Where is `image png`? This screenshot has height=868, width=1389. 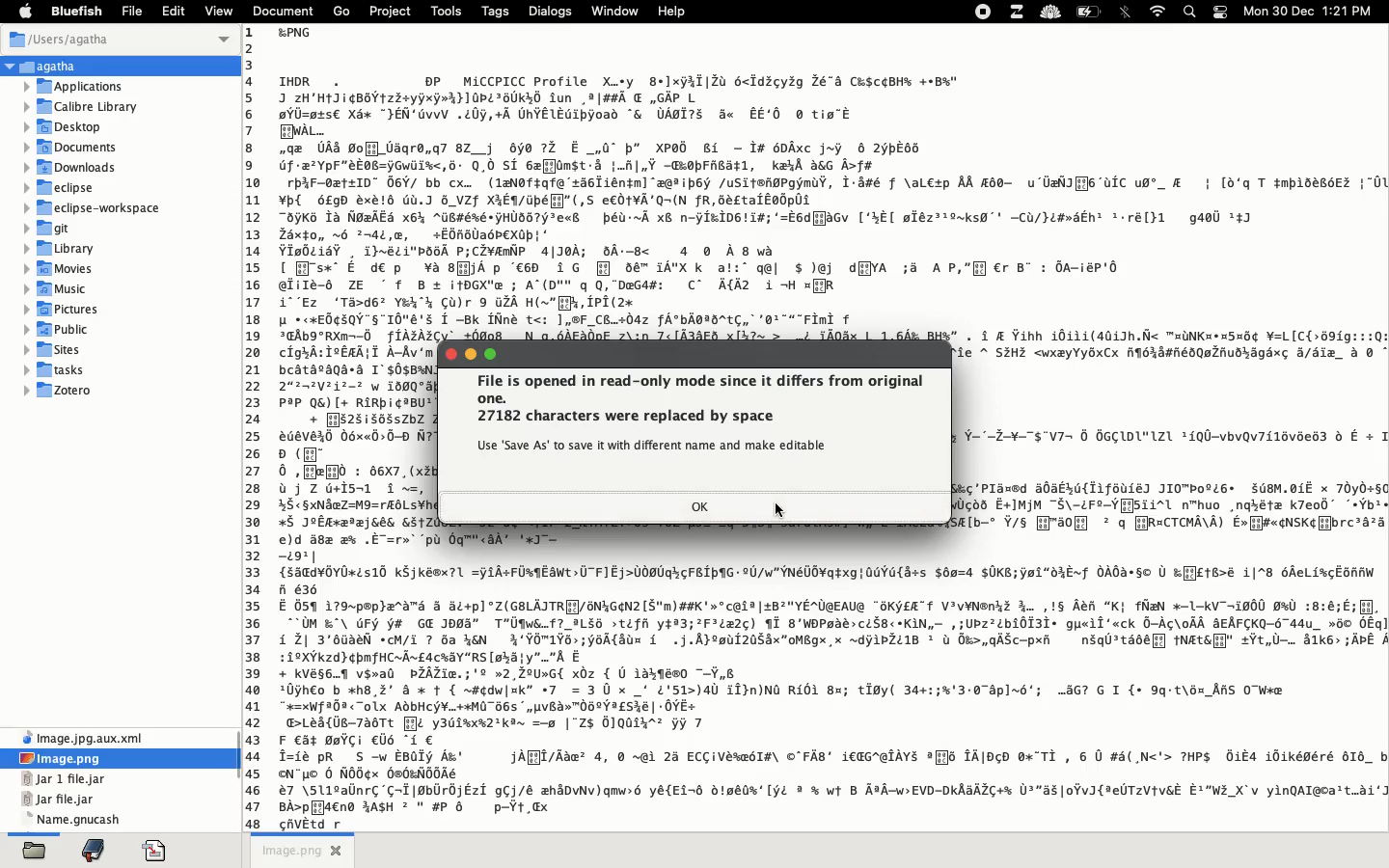 image png is located at coordinates (78, 760).